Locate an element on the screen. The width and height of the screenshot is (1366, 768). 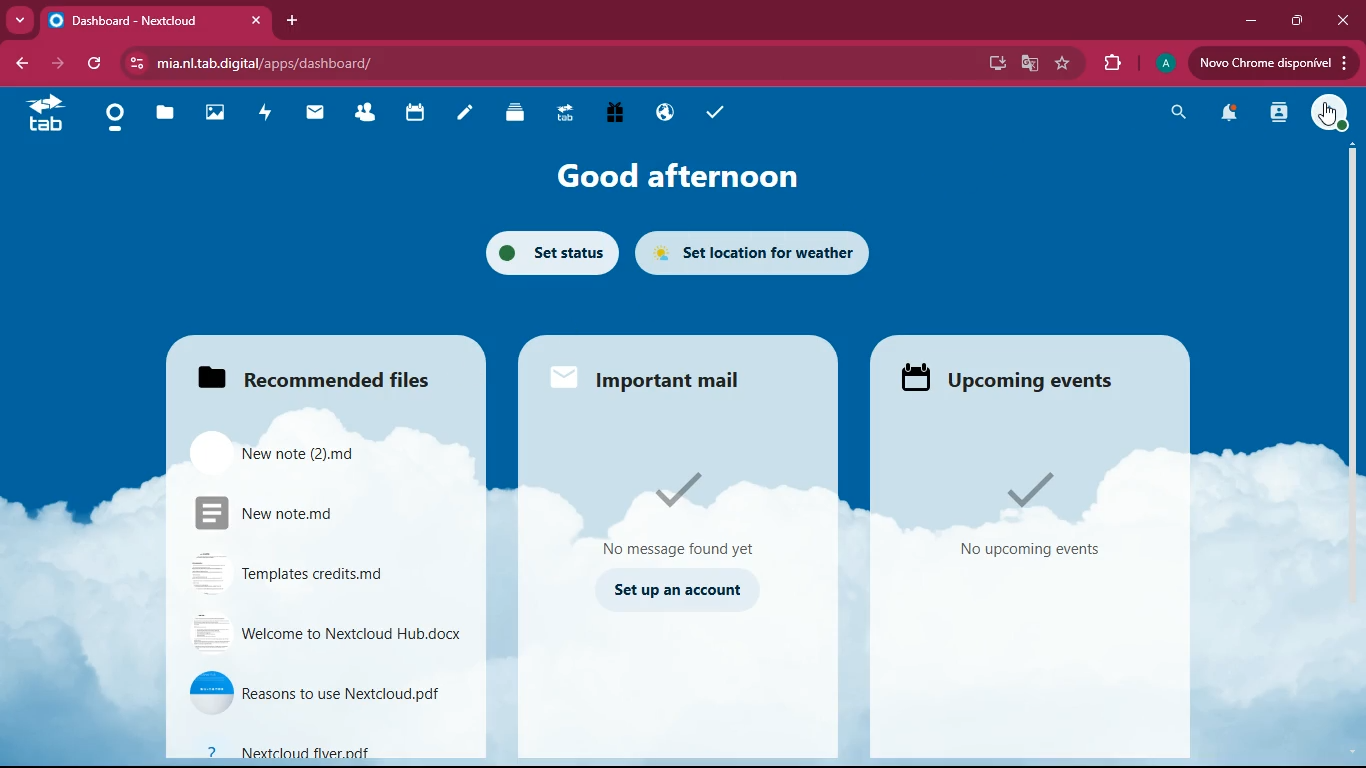
files is located at coordinates (166, 115).